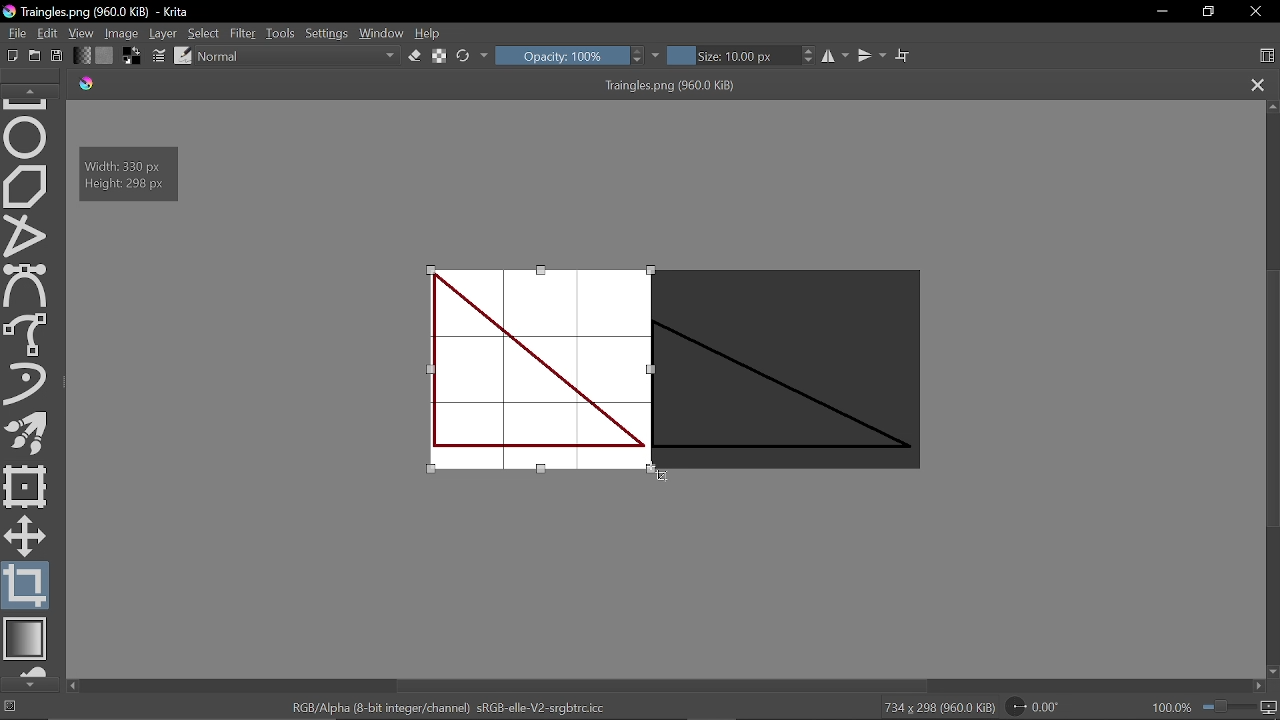 The height and width of the screenshot is (720, 1280). What do you see at coordinates (1262, 688) in the screenshot?
I see `Move right` at bounding box center [1262, 688].